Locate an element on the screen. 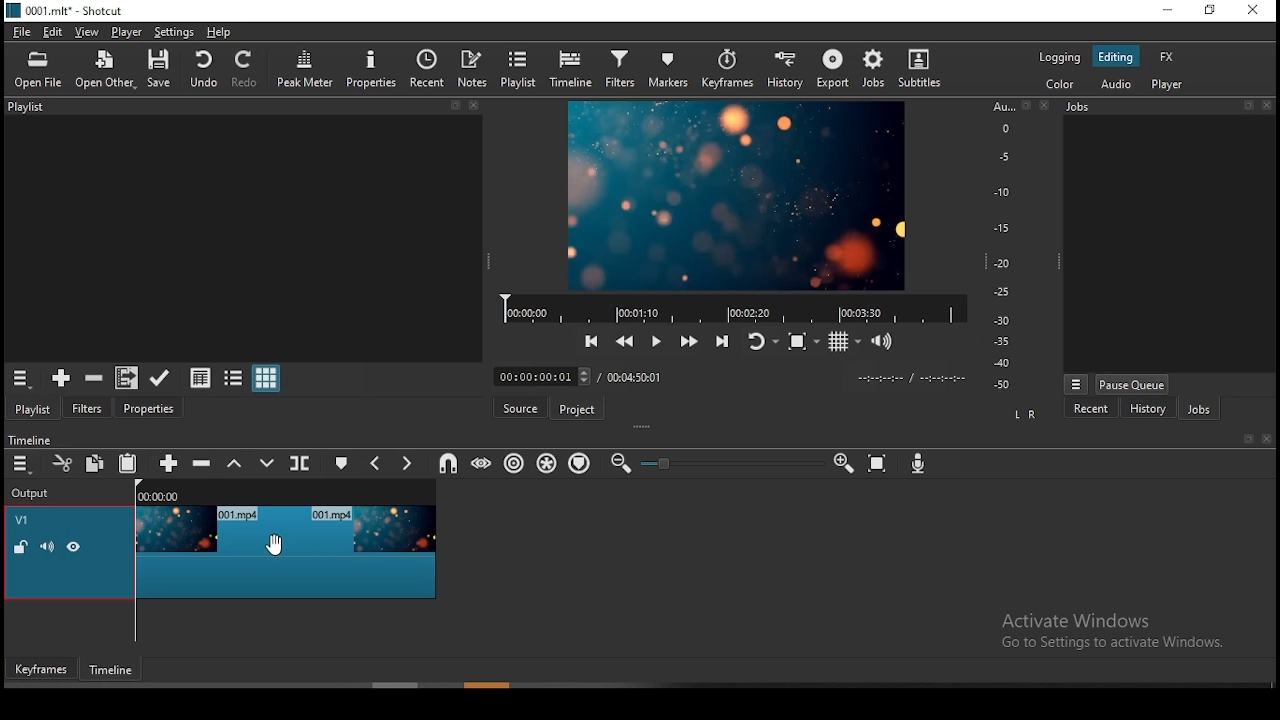 The image size is (1280, 720). book mark is located at coordinates (1247, 440).